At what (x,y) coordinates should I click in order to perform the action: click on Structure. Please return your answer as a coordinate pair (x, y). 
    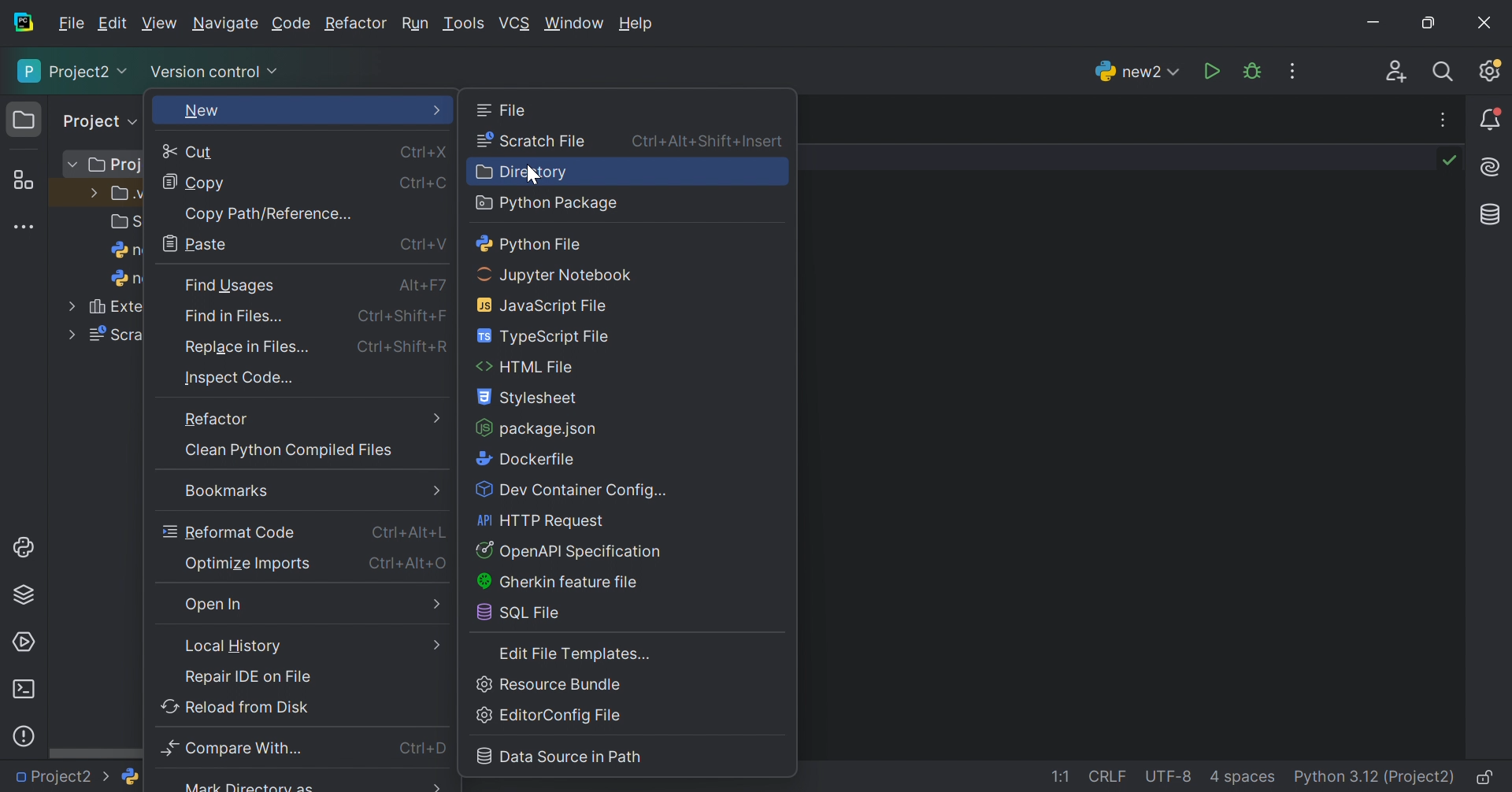
    Looking at the image, I should click on (24, 181).